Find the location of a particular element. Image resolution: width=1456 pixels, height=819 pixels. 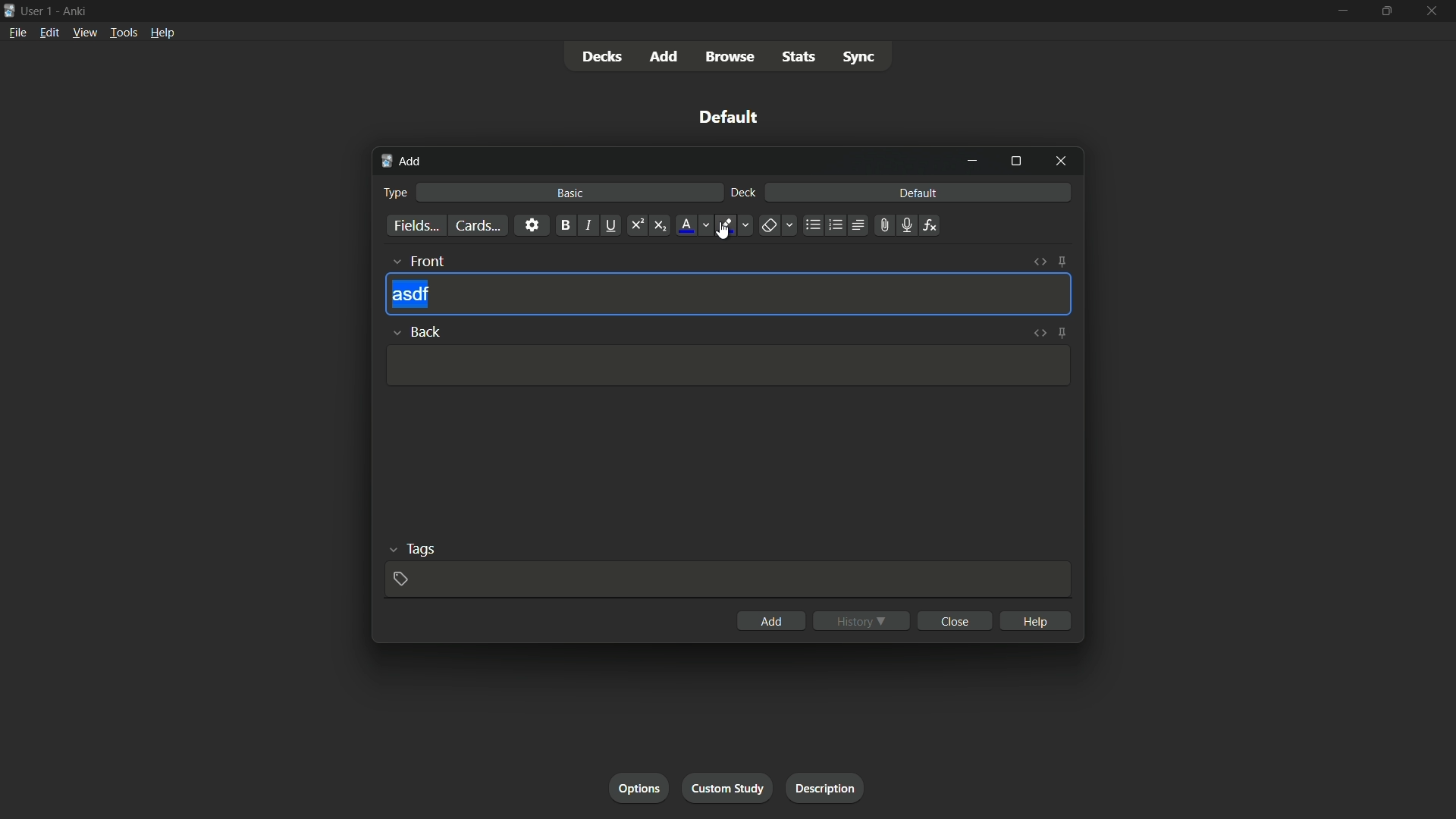

minimize is located at coordinates (972, 161).